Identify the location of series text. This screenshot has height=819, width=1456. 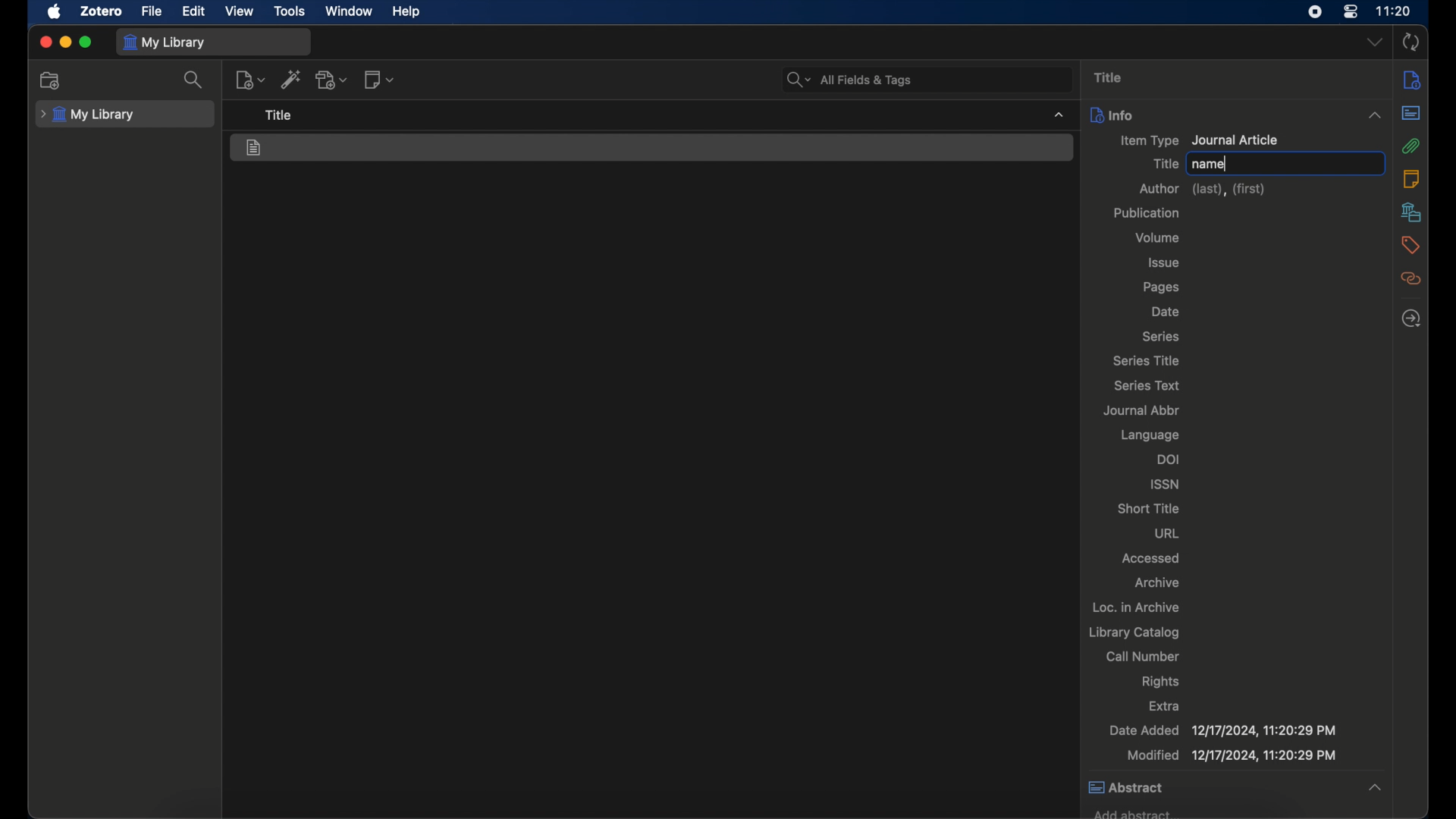
(1147, 386).